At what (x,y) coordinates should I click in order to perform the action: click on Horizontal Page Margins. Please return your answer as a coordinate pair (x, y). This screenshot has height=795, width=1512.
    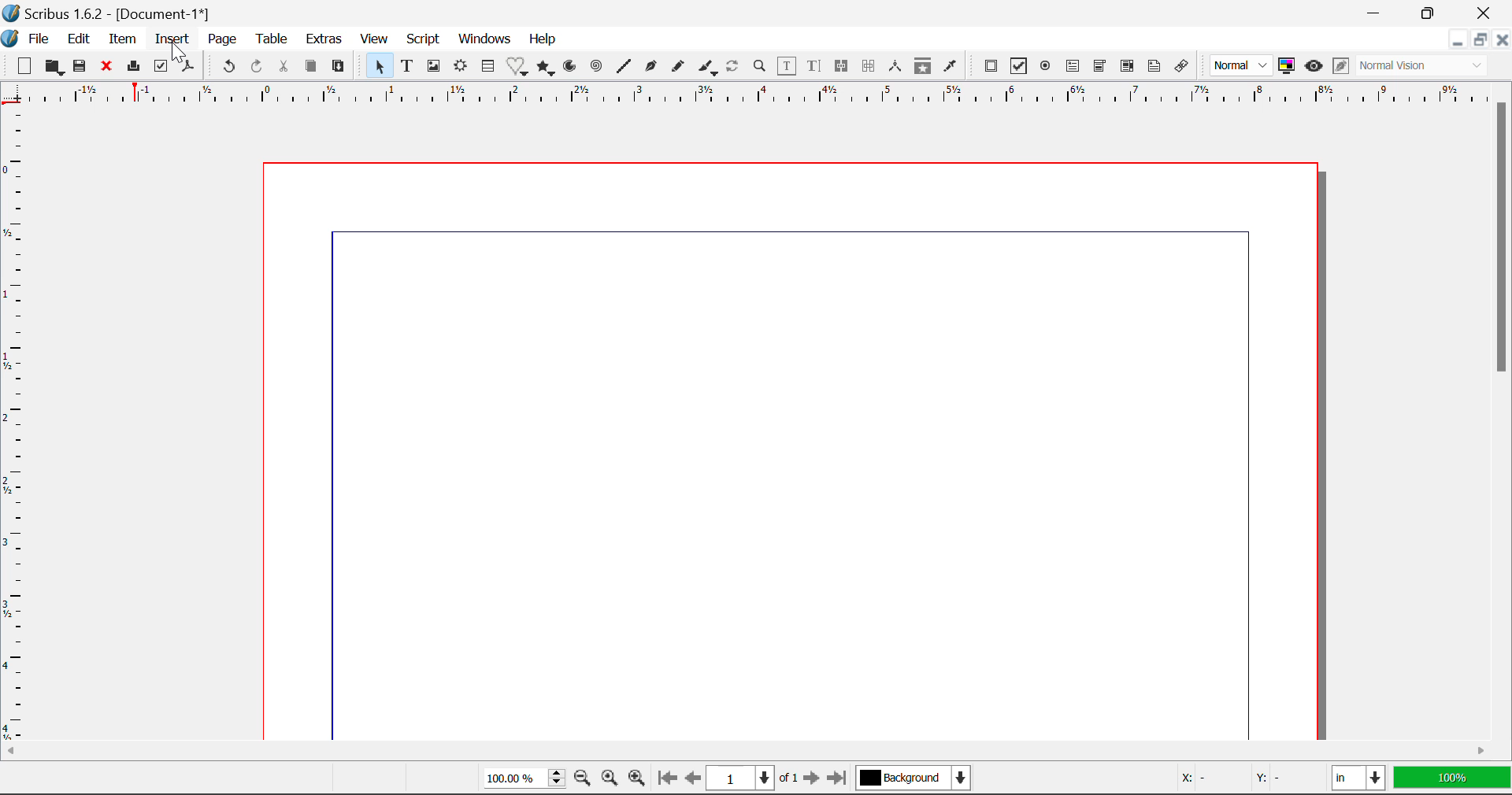
    Looking at the image, I should click on (14, 427).